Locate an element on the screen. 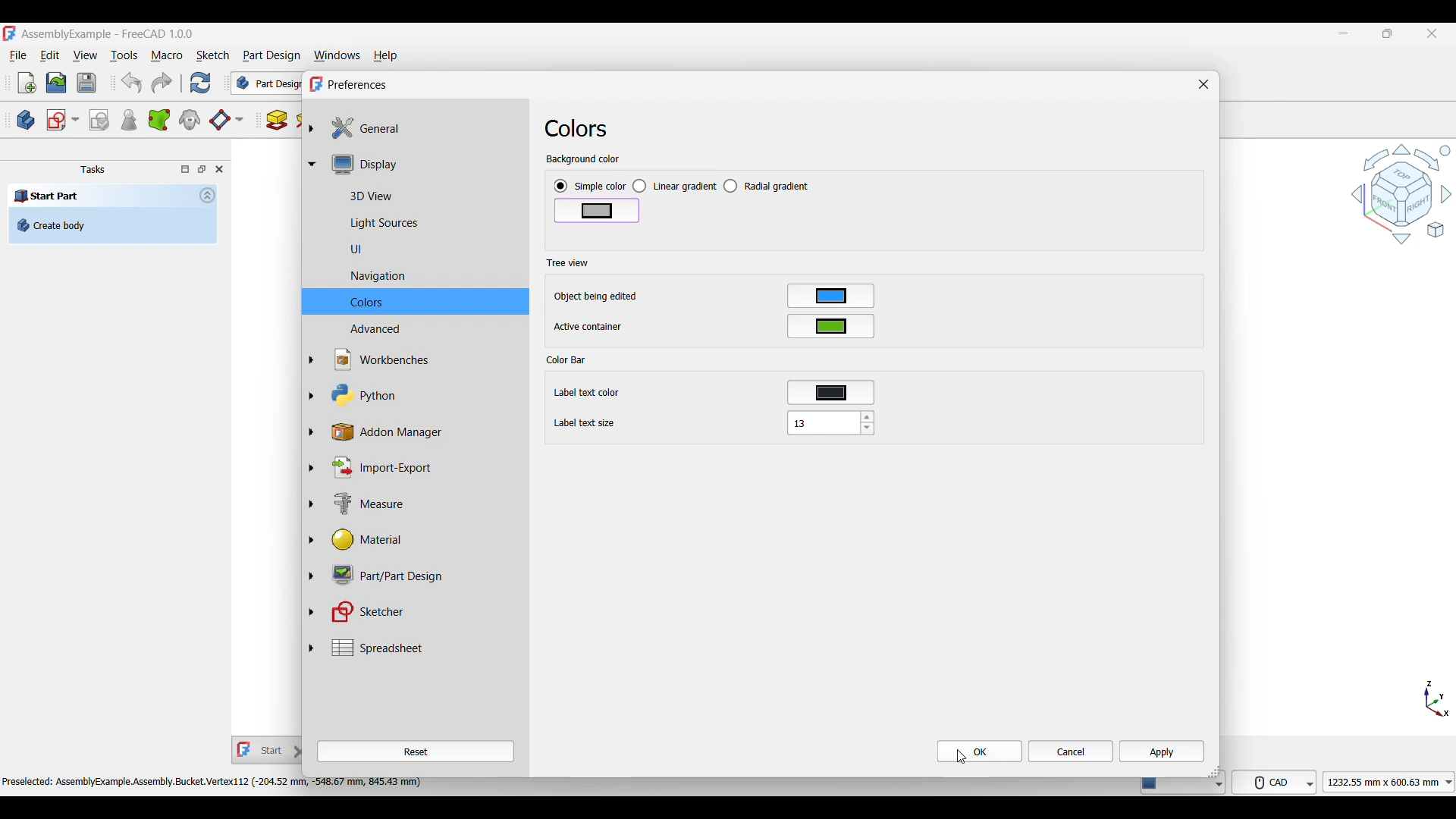 The image size is (1456, 819). Display setting is located at coordinates (423, 164).